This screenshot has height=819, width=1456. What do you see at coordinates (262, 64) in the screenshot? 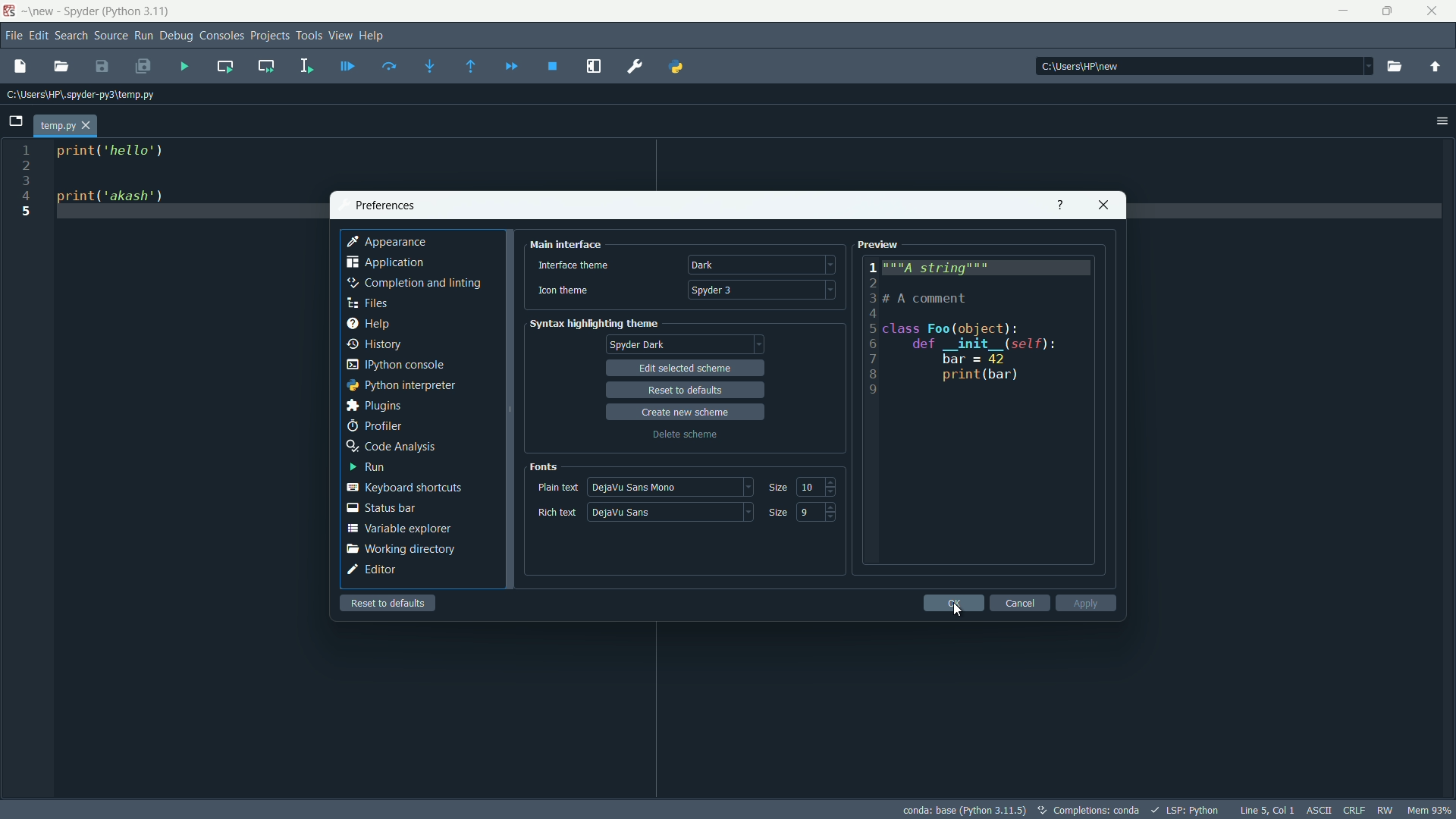
I see `run current cell and go to the next one` at bounding box center [262, 64].